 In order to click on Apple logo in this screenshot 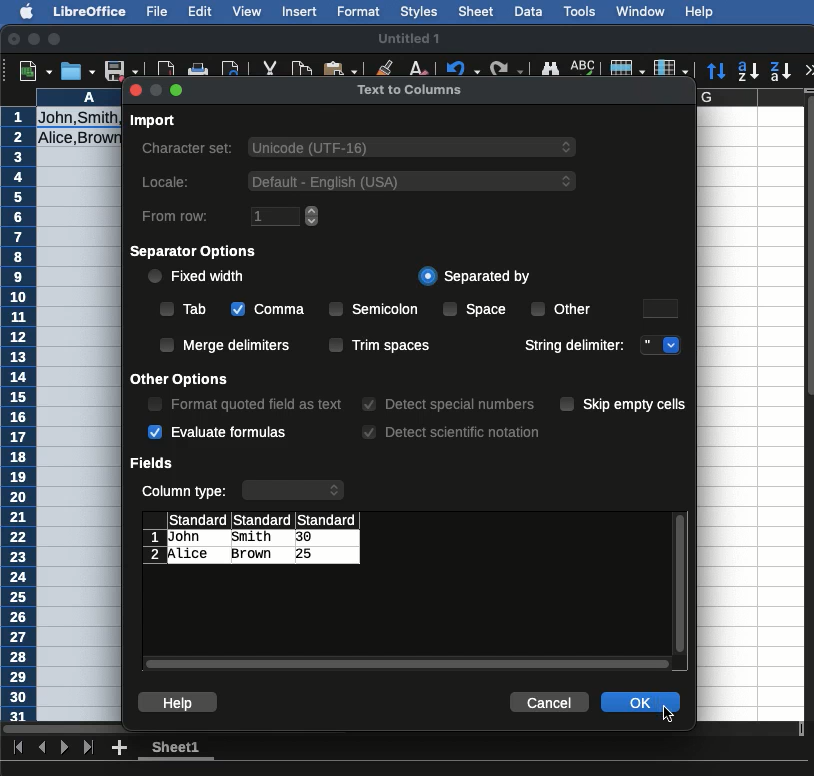, I will do `click(29, 11)`.